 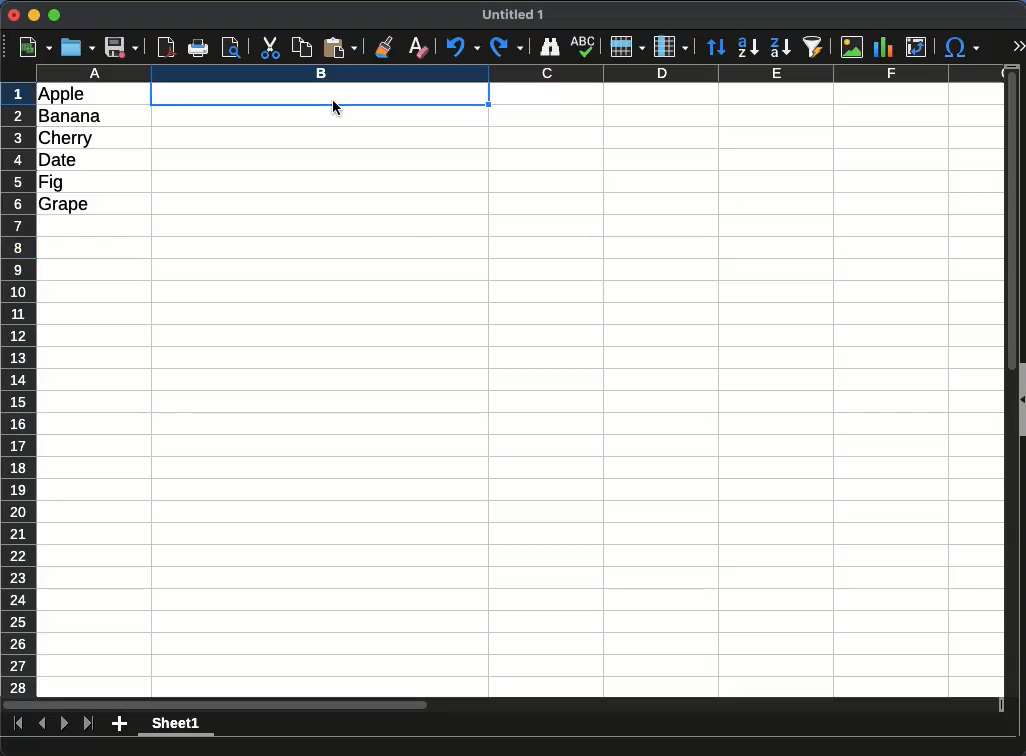 I want to click on undo, so click(x=463, y=47).